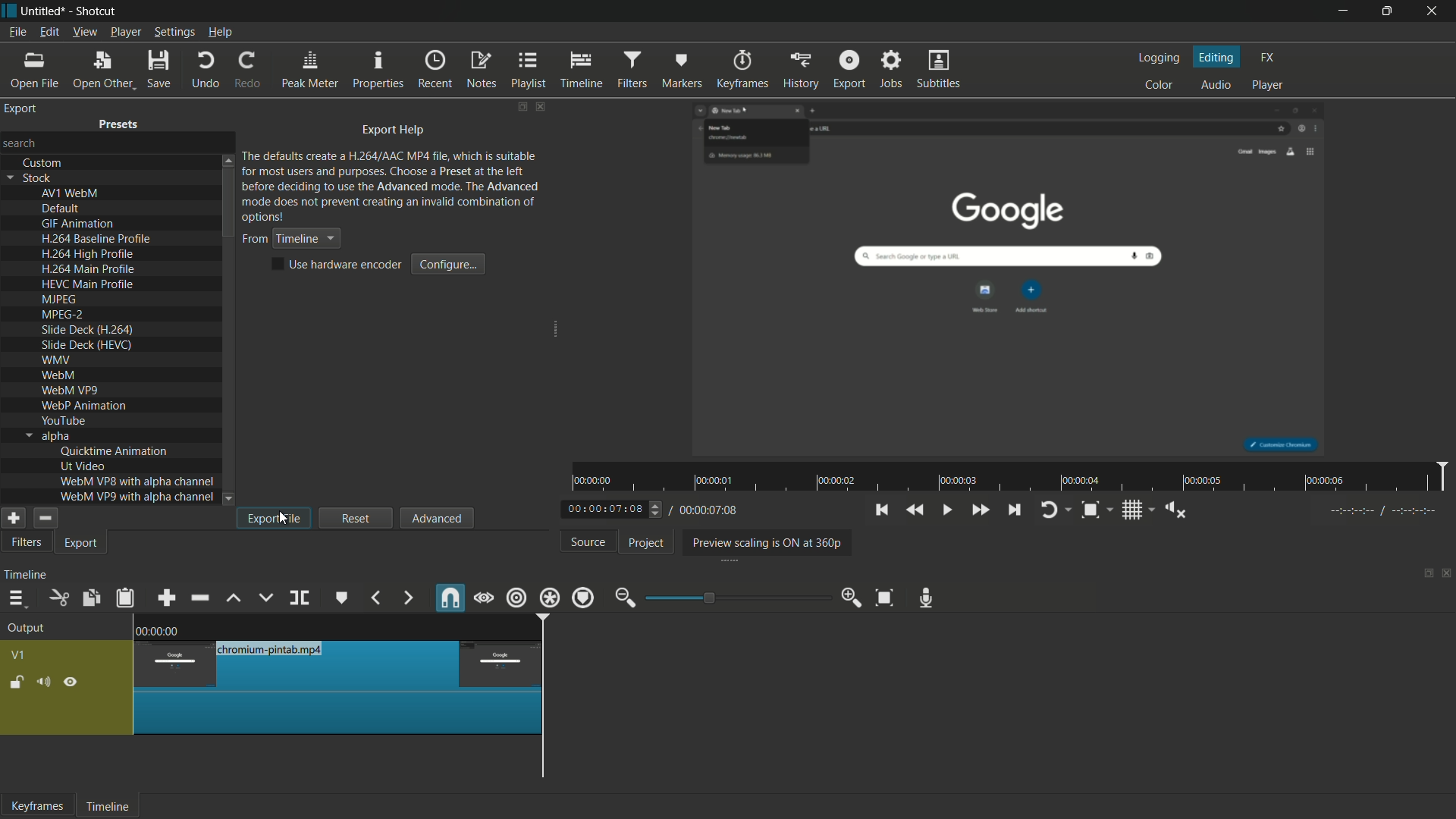  What do you see at coordinates (160, 69) in the screenshot?
I see `save` at bounding box center [160, 69].